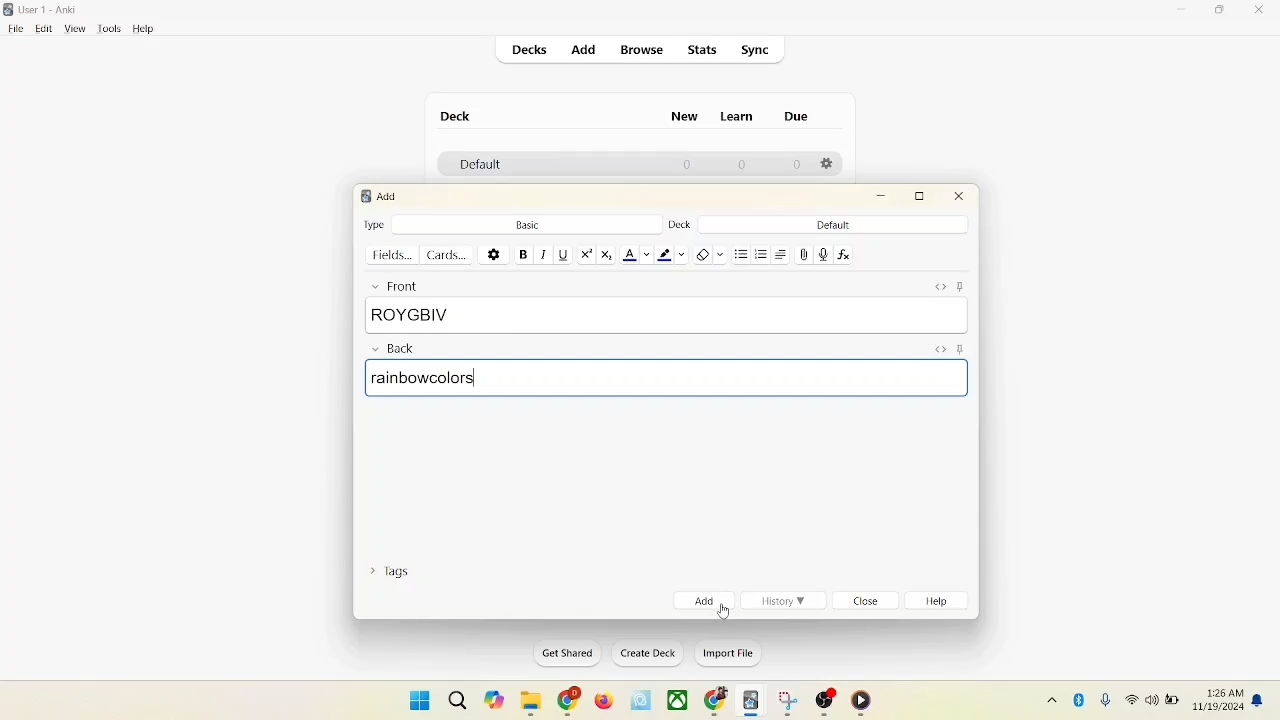 Image resolution: width=1280 pixels, height=720 pixels. What do you see at coordinates (644, 654) in the screenshot?
I see `create deck` at bounding box center [644, 654].